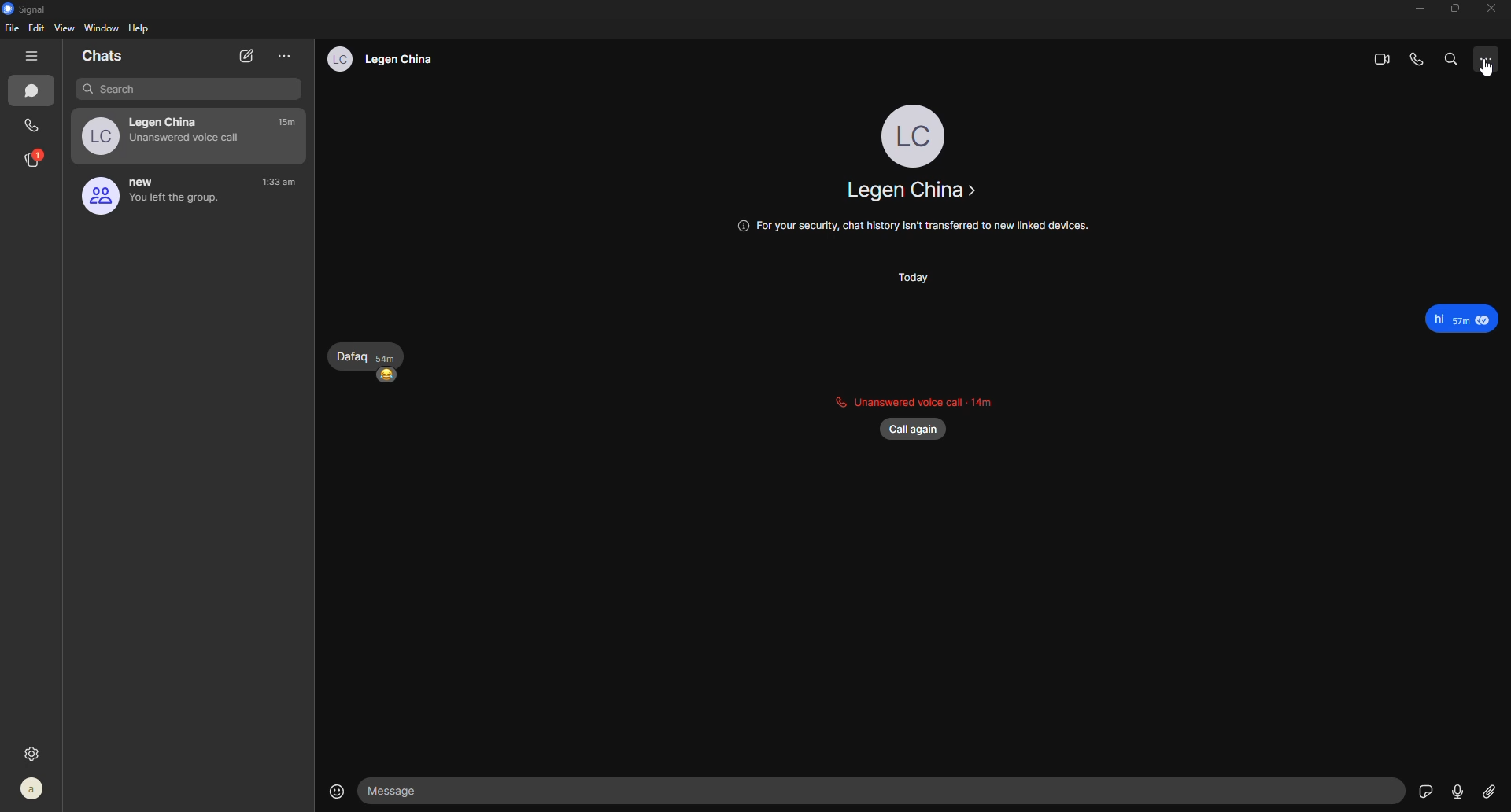 The image size is (1511, 812). What do you see at coordinates (66, 28) in the screenshot?
I see `view` at bounding box center [66, 28].